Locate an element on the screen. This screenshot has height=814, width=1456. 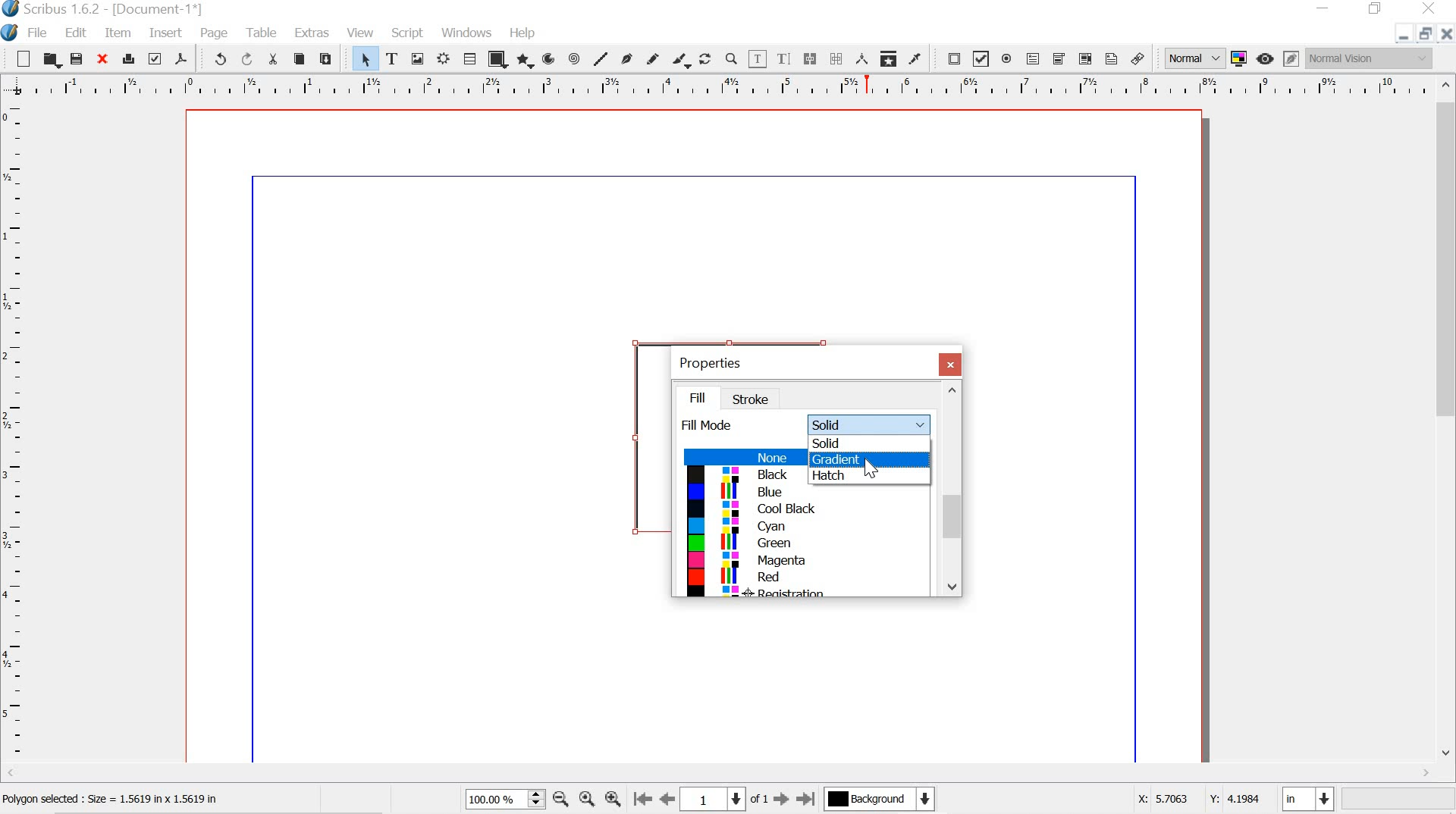
render frame is located at coordinates (444, 59).